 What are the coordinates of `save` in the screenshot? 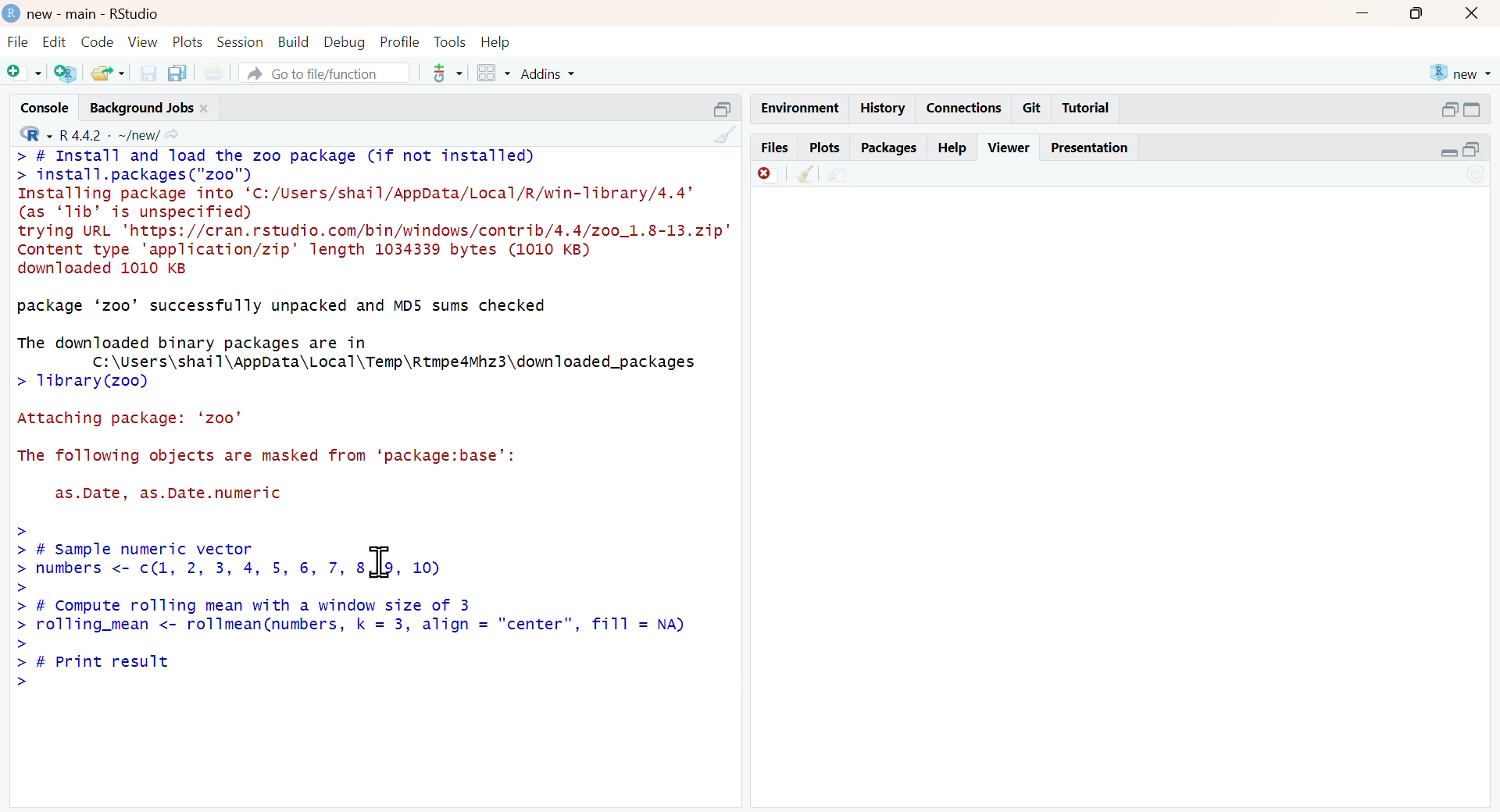 It's located at (149, 73).